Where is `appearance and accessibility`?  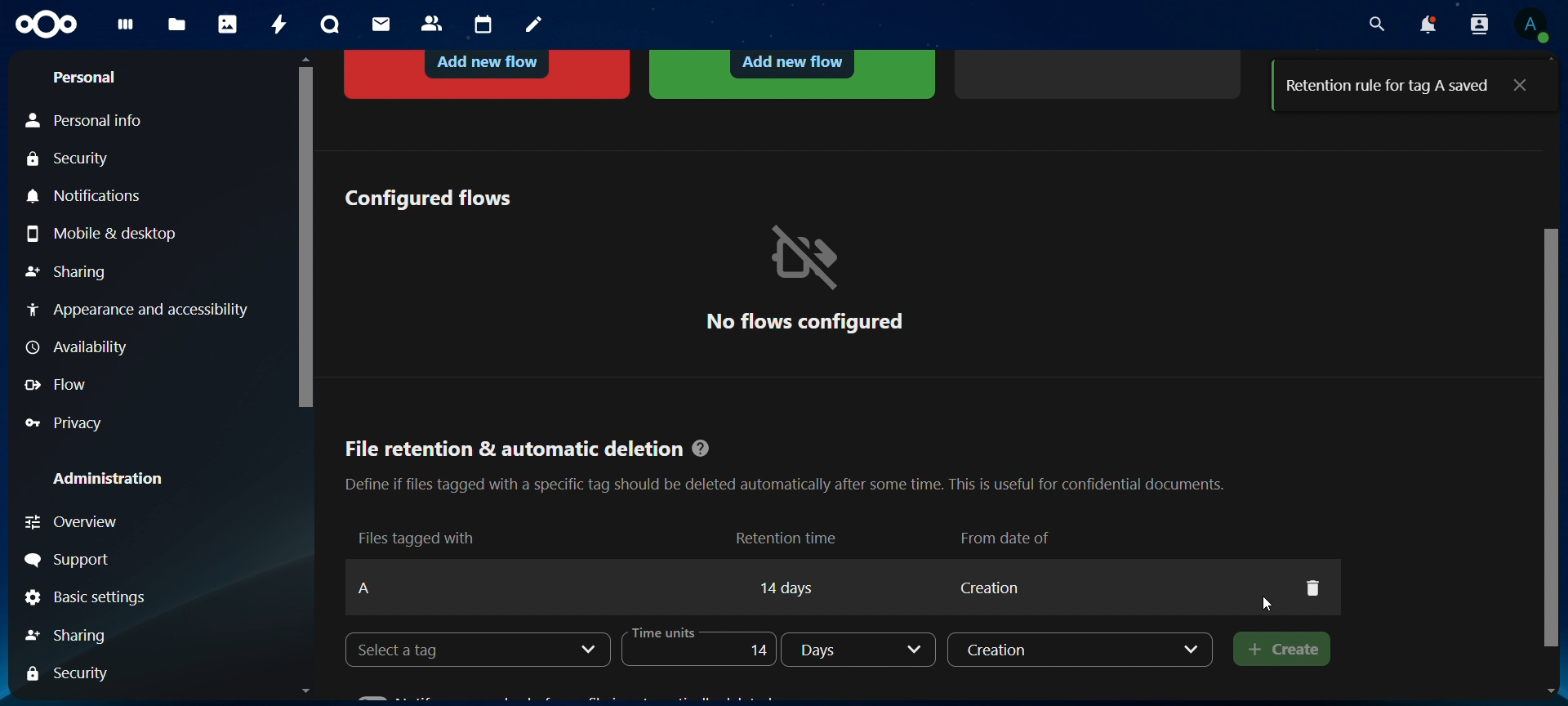 appearance and accessibility is located at coordinates (136, 309).